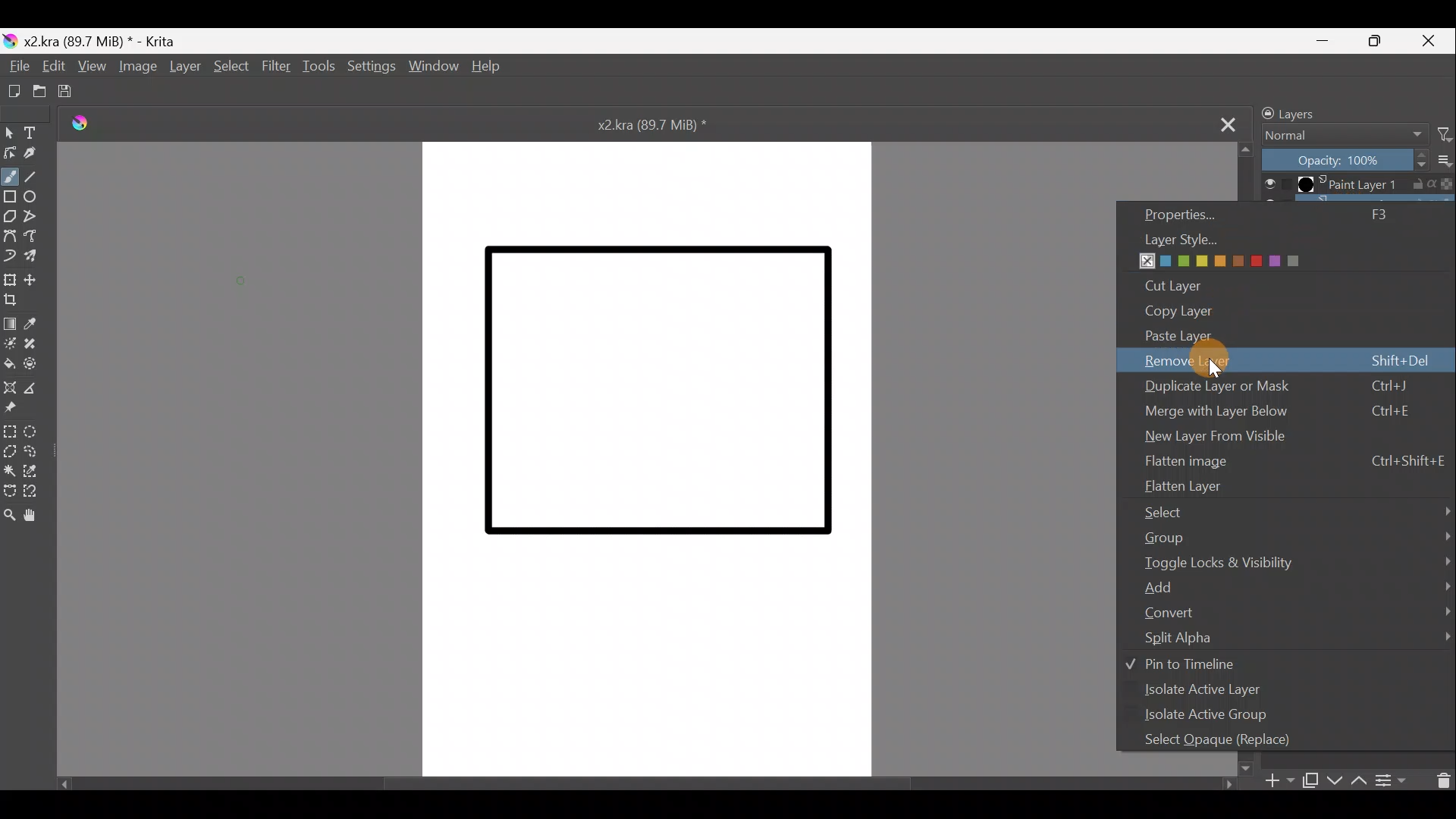 The height and width of the screenshot is (819, 1456). What do you see at coordinates (1277, 387) in the screenshot?
I see `Duplicate later/mask` at bounding box center [1277, 387].